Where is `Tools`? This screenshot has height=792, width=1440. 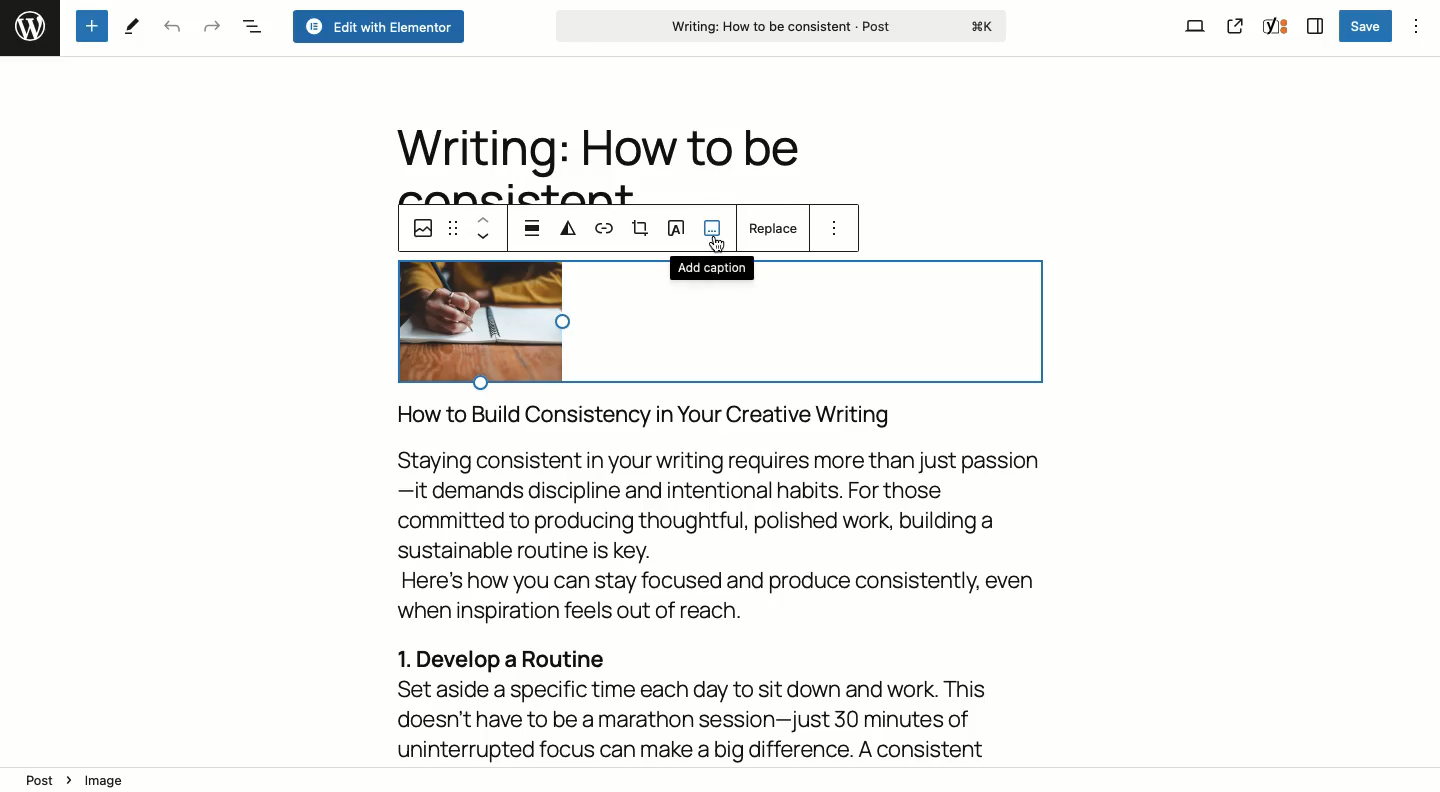 Tools is located at coordinates (135, 26).